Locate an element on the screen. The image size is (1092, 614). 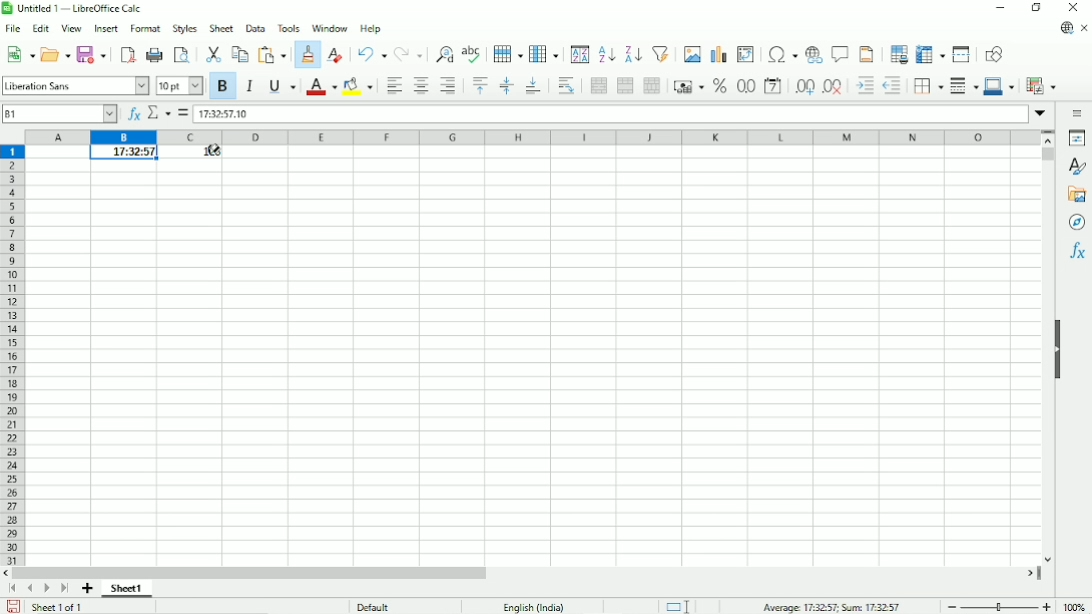
Add sheet is located at coordinates (87, 589).